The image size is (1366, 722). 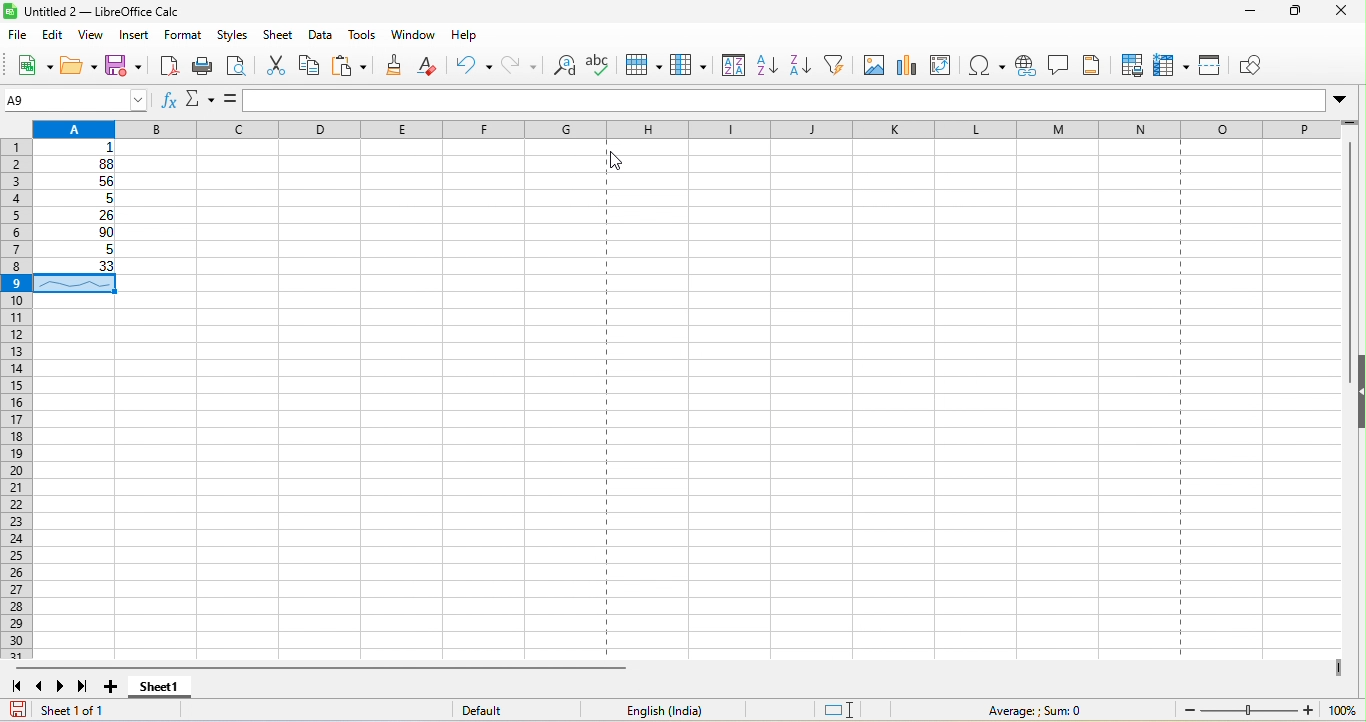 I want to click on file, so click(x=16, y=33).